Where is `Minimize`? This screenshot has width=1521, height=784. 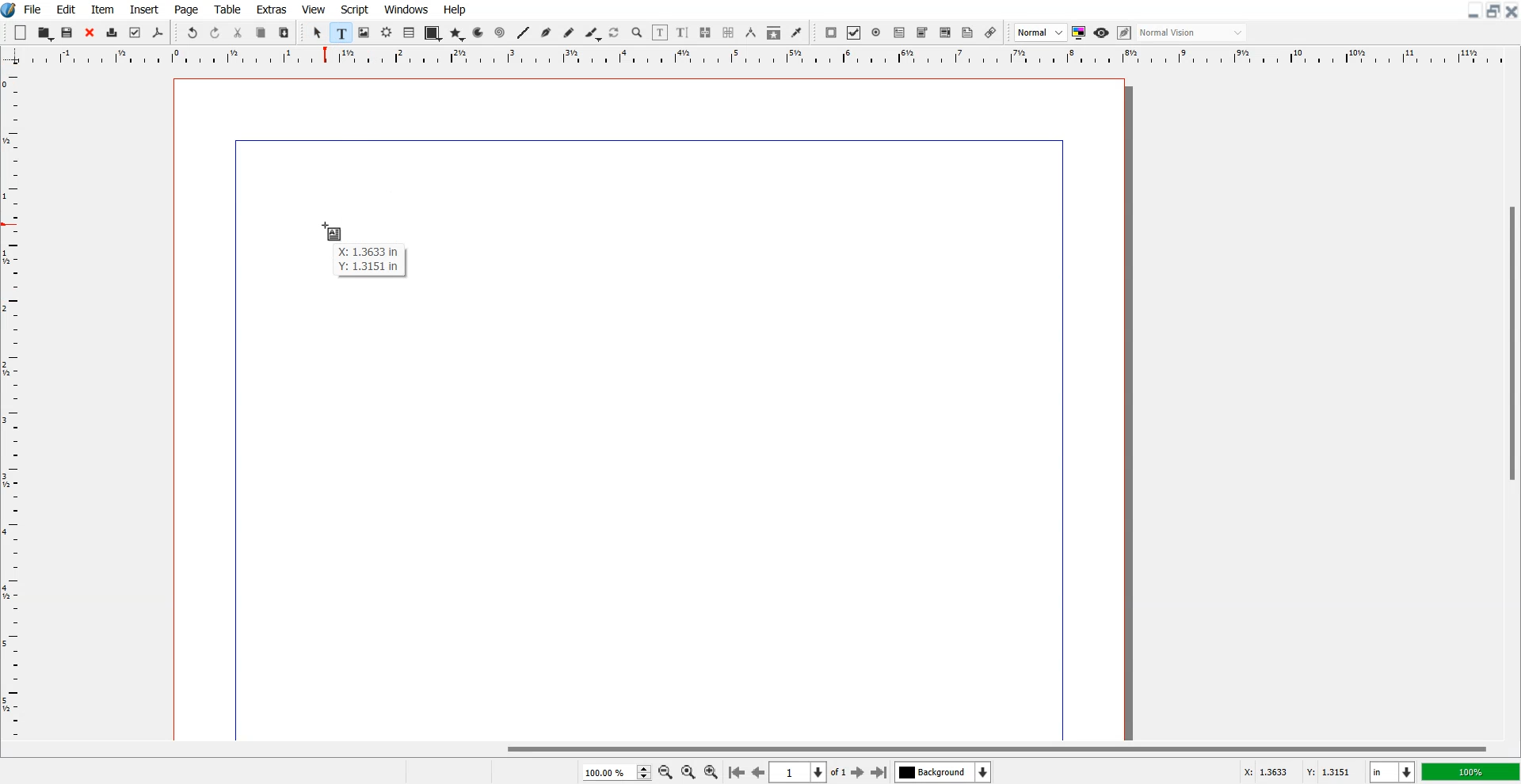 Minimize is located at coordinates (1474, 10).